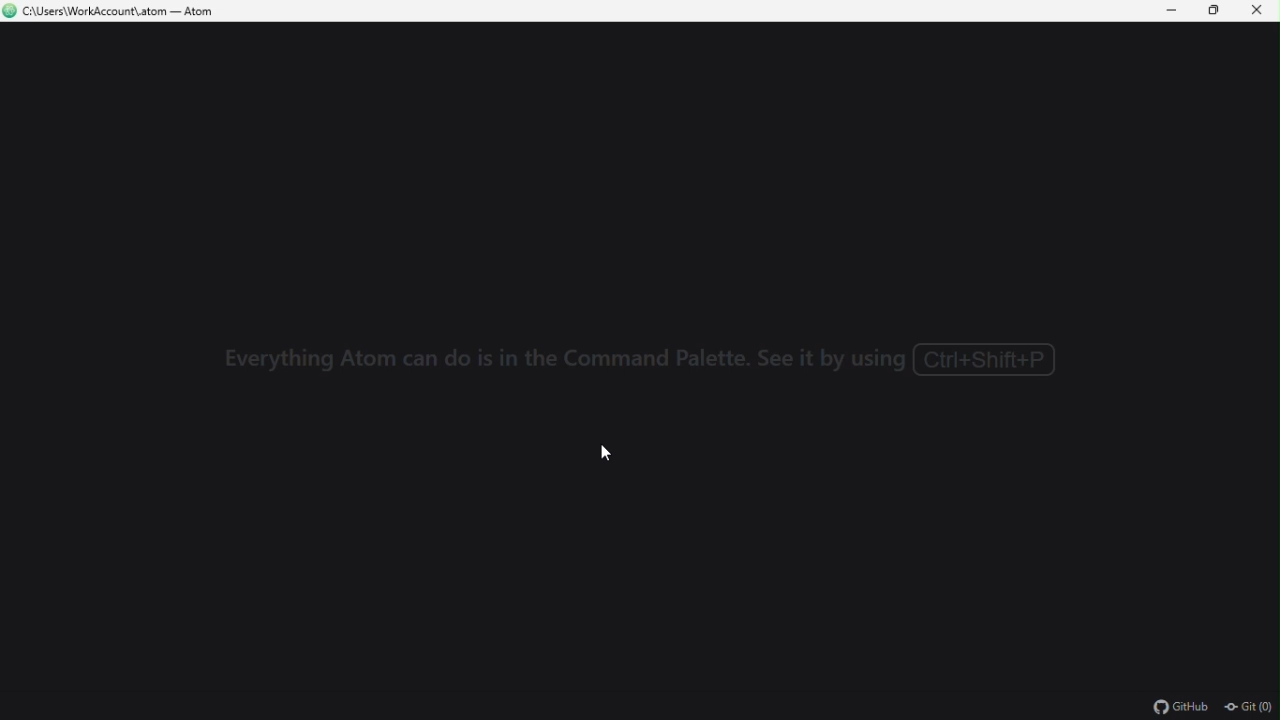 Image resolution: width=1280 pixels, height=720 pixels. What do you see at coordinates (1246, 706) in the screenshot?
I see `git` at bounding box center [1246, 706].